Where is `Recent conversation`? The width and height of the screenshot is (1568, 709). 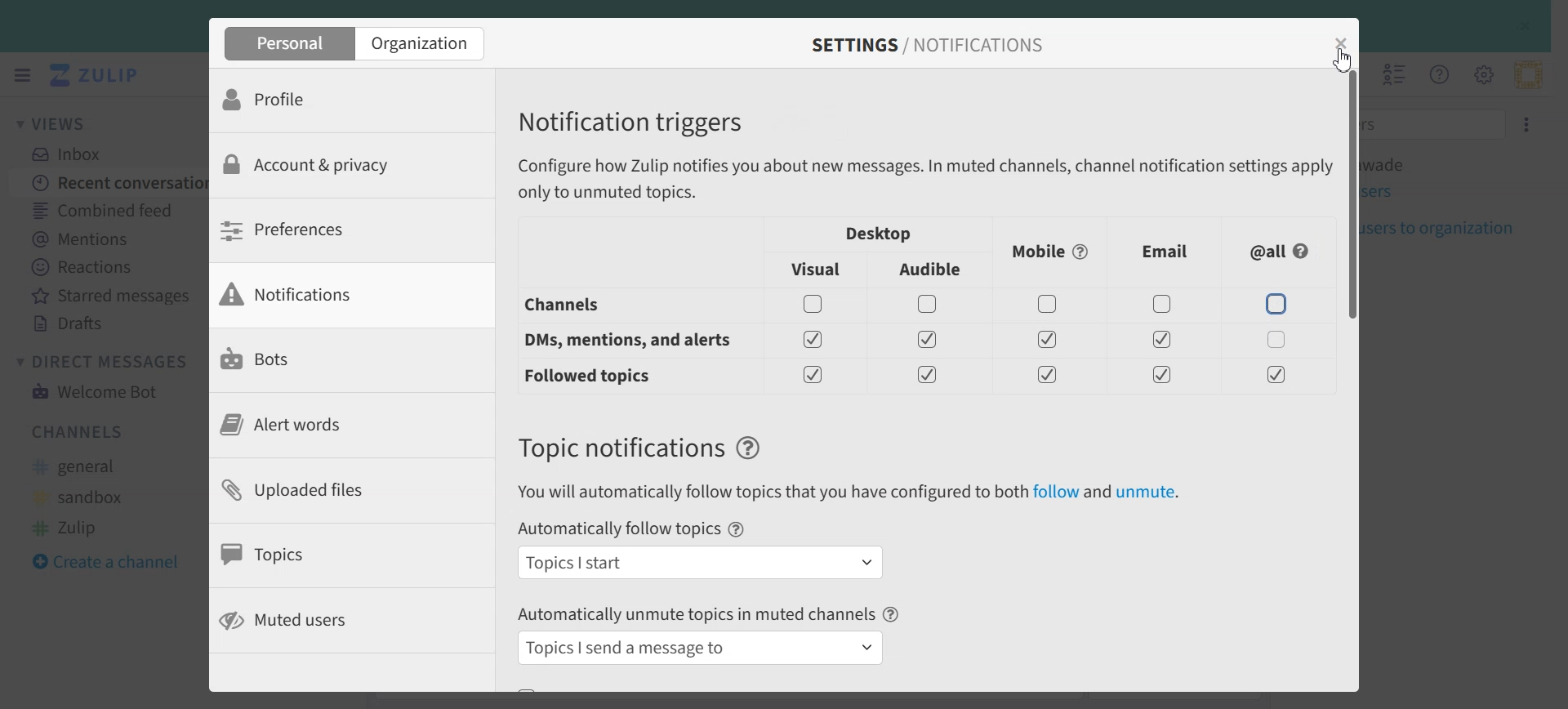
Recent conversation is located at coordinates (109, 181).